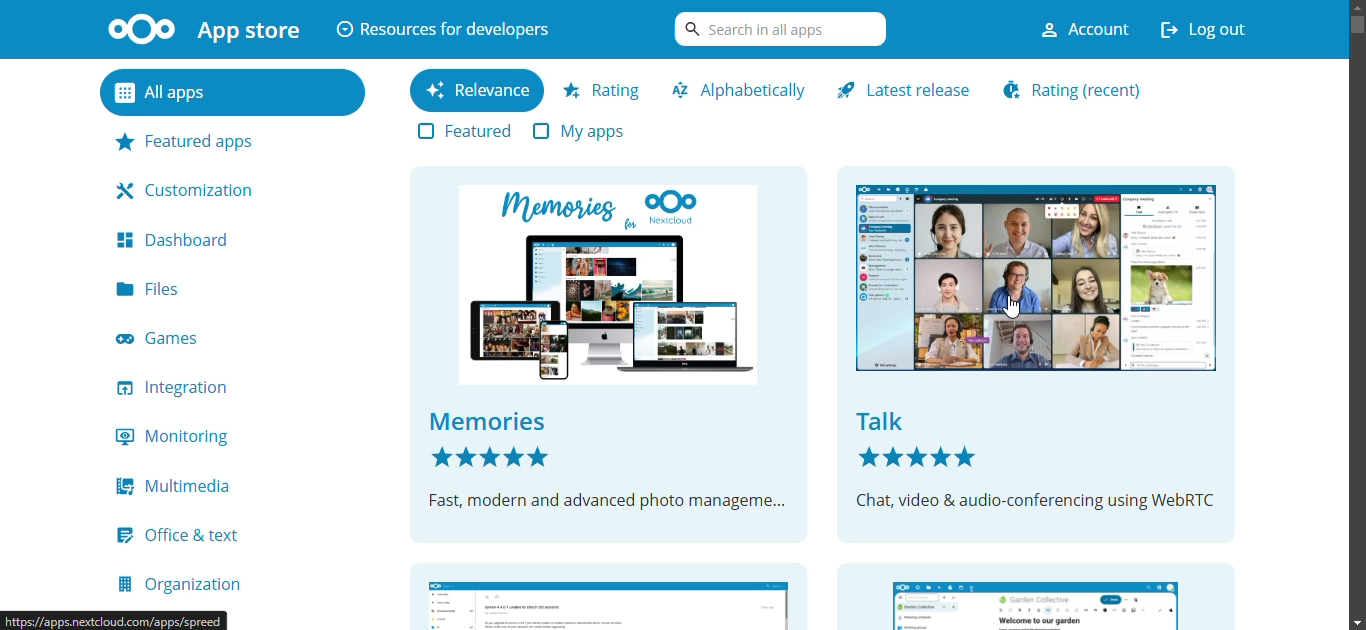 The width and height of the screenshot is (1366, 630). I want to click on relevance, so click(476, 90).